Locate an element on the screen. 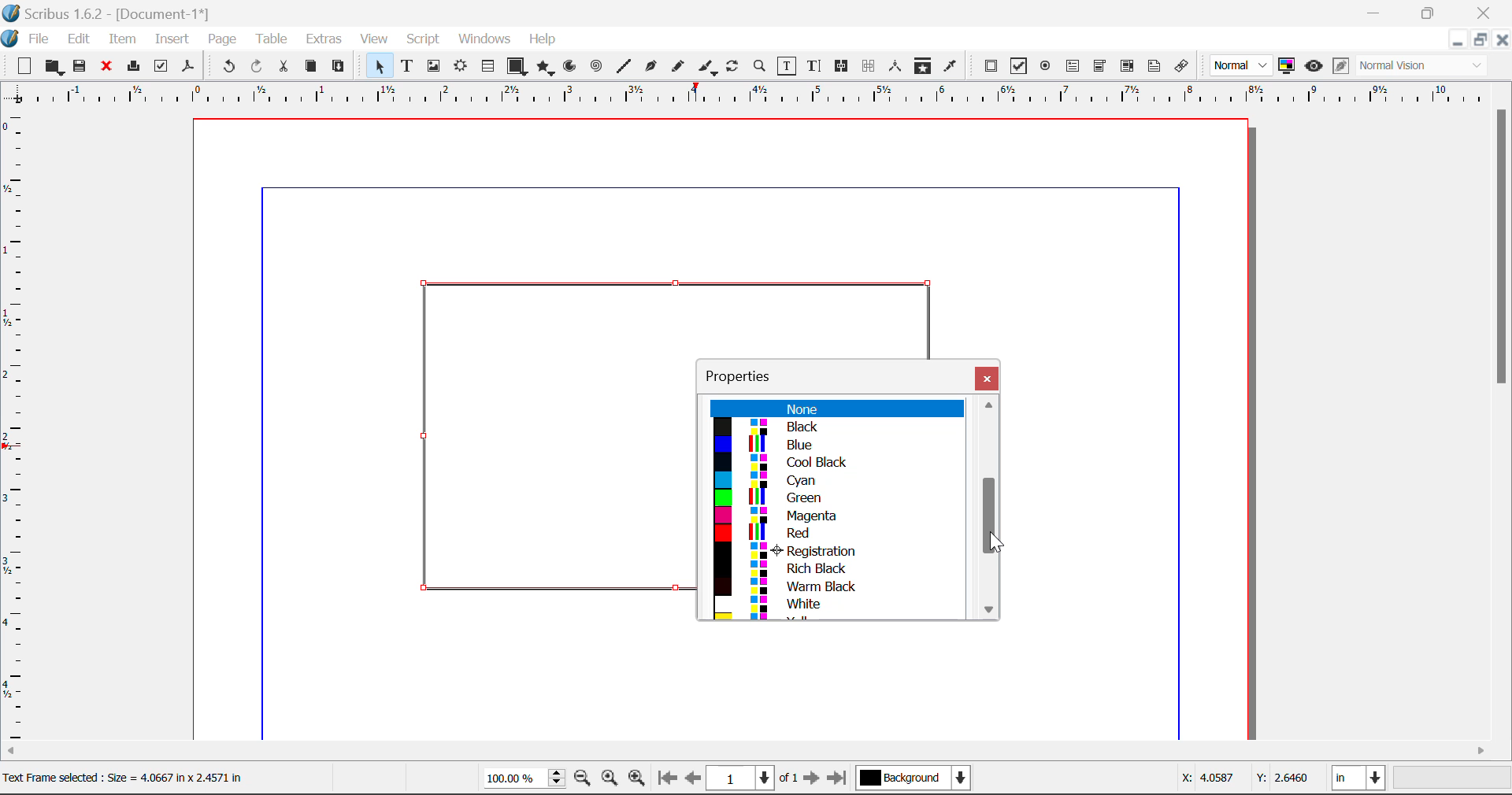 Image resolution: width=1512 pixels, height=795 pixels. Cursor Coordinates is located at coordinates (1247, 780).